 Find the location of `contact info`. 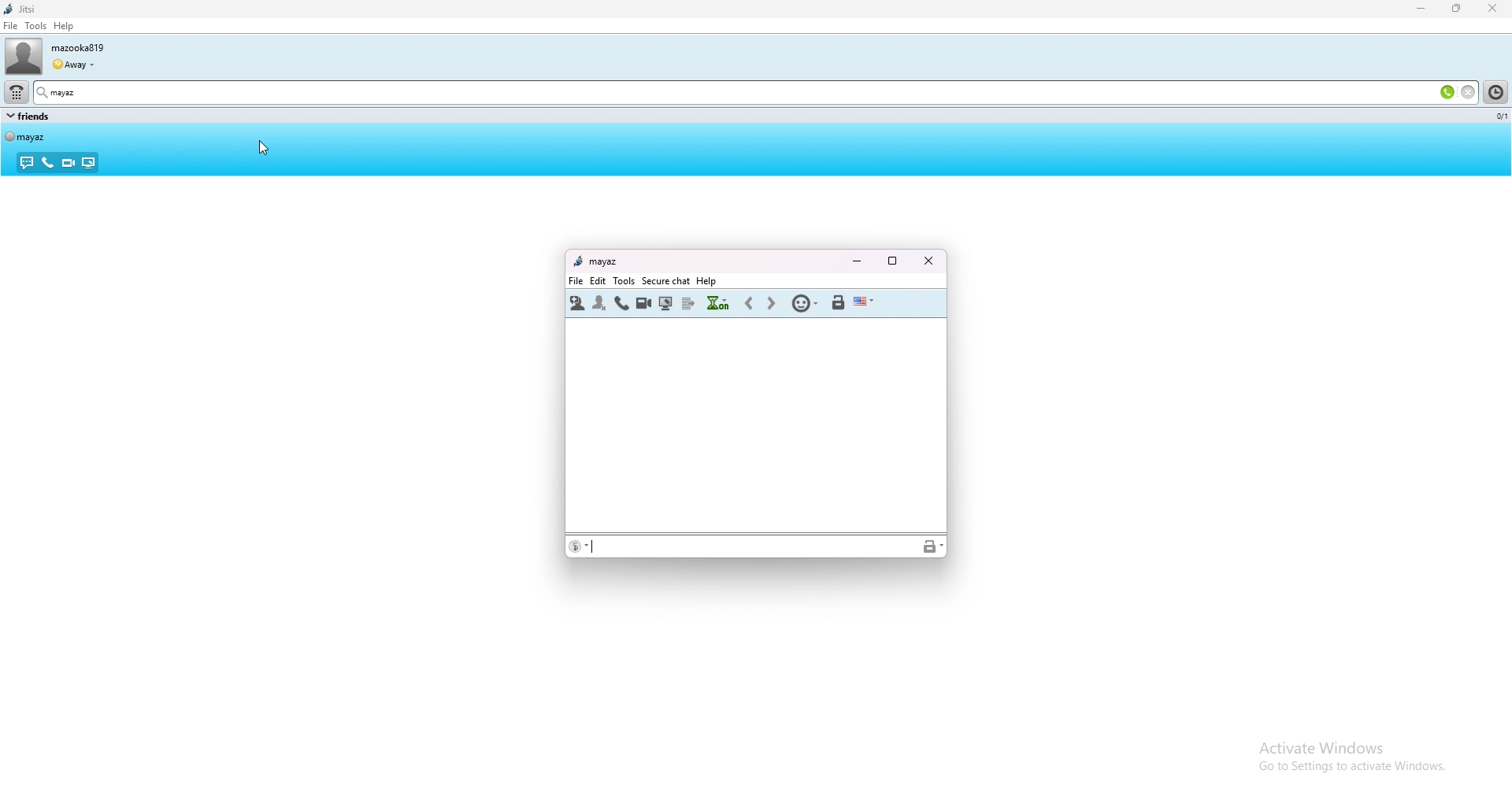

contact info is located at coordinates (580, 547).